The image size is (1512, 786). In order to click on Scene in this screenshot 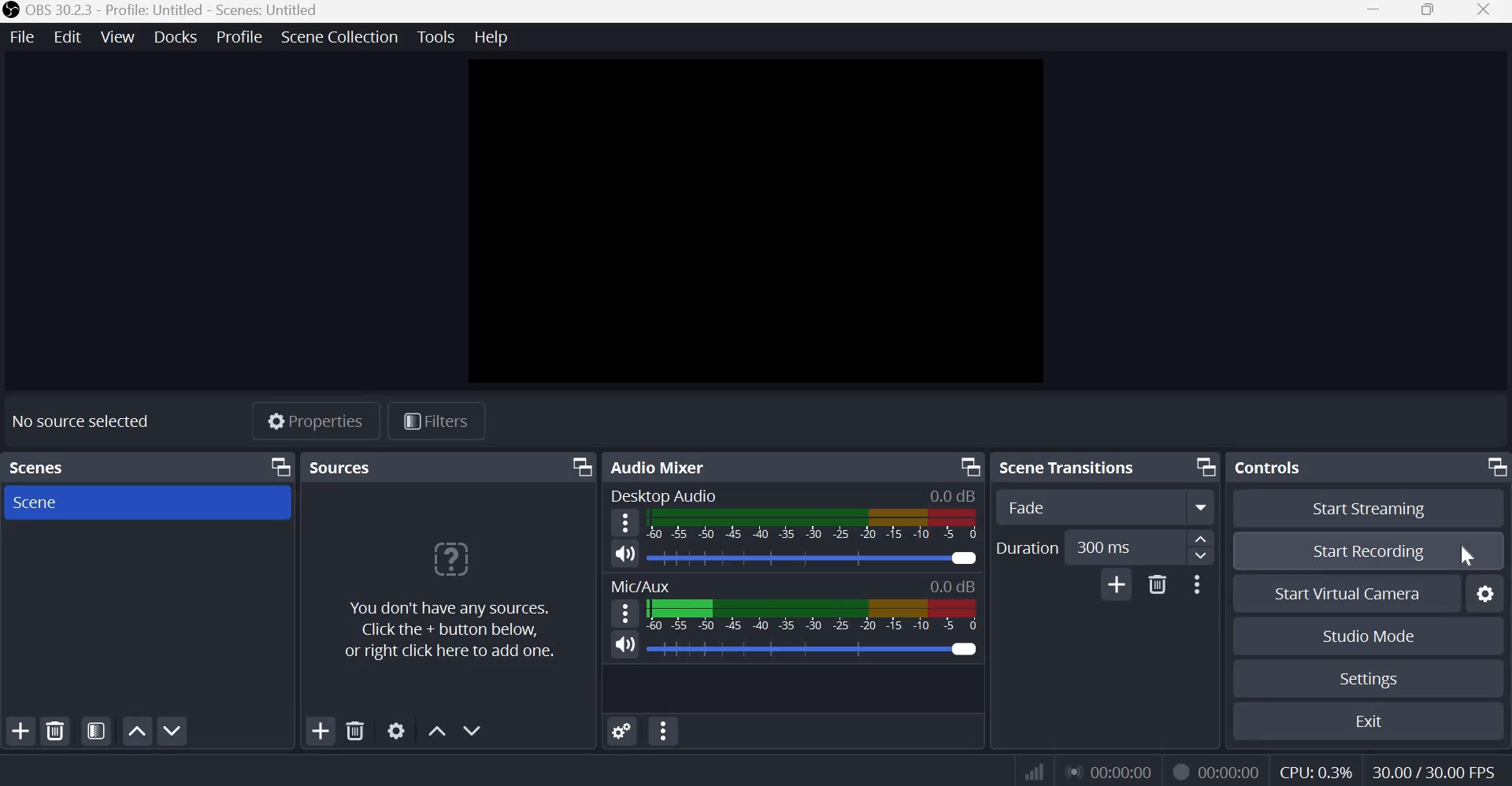, I will do `click(43, 504)`.